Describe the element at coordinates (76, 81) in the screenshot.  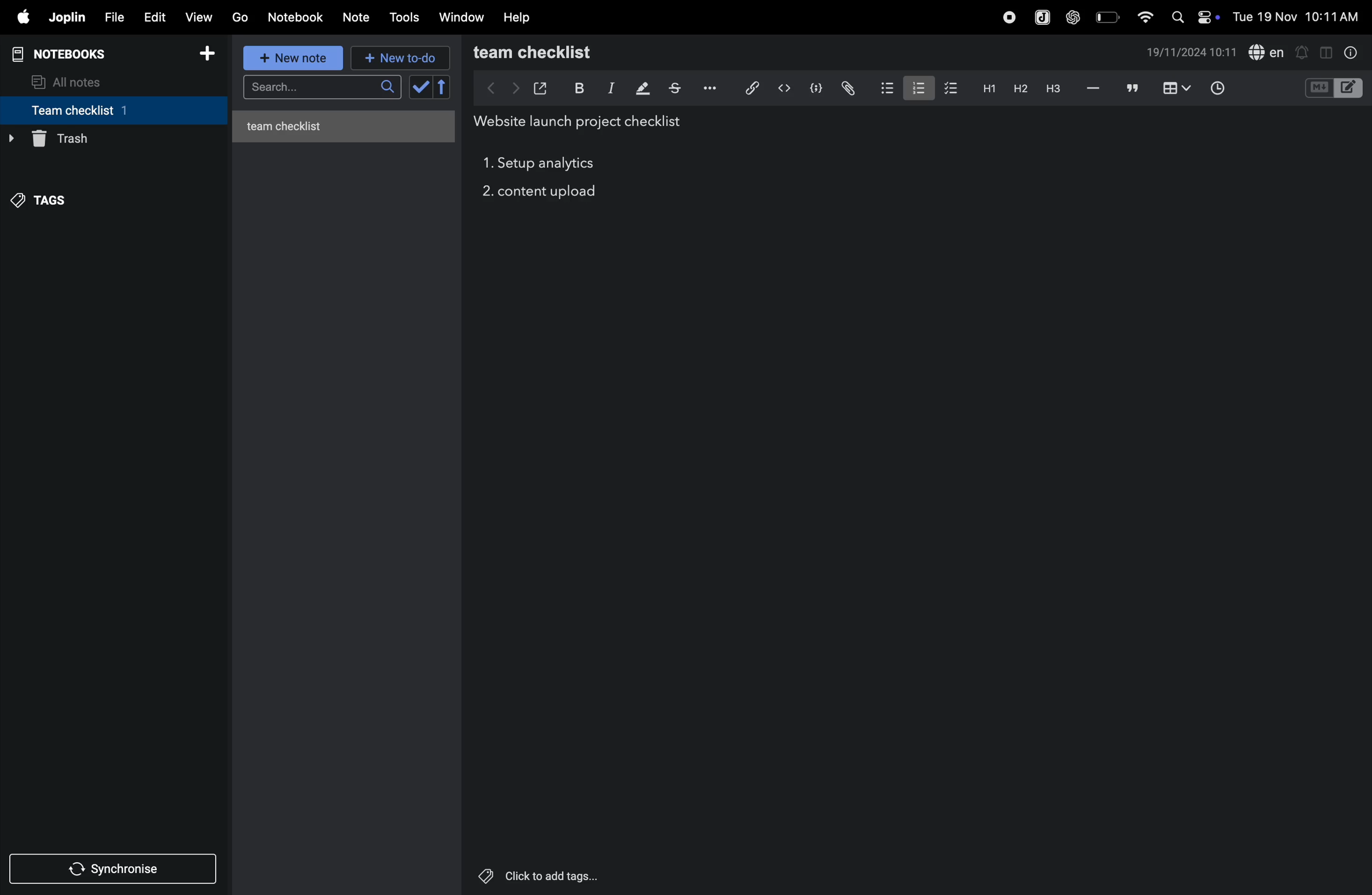
I see `all notes` at that location.